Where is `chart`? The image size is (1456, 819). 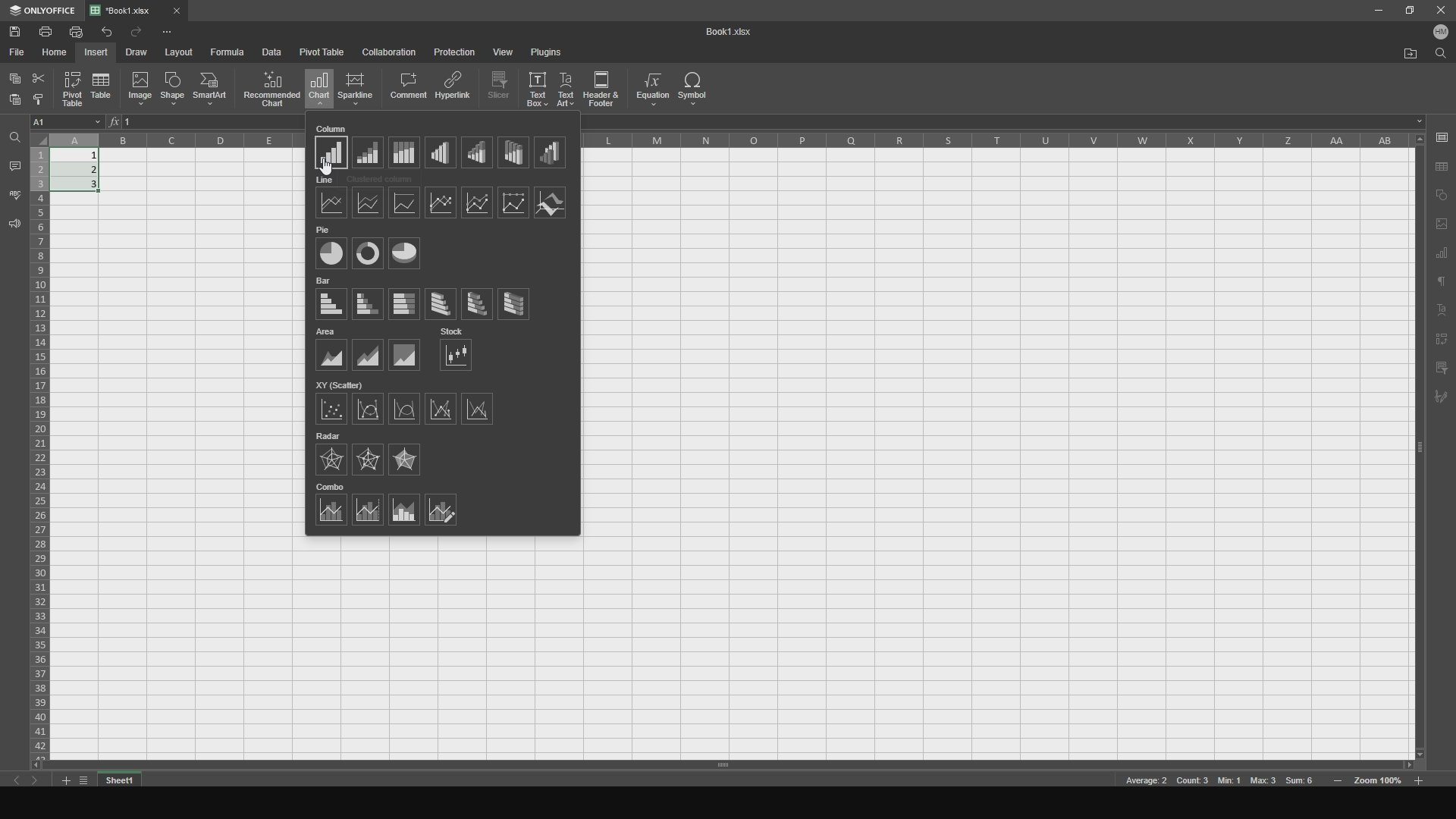
chart is located at coordinates (318, 89).